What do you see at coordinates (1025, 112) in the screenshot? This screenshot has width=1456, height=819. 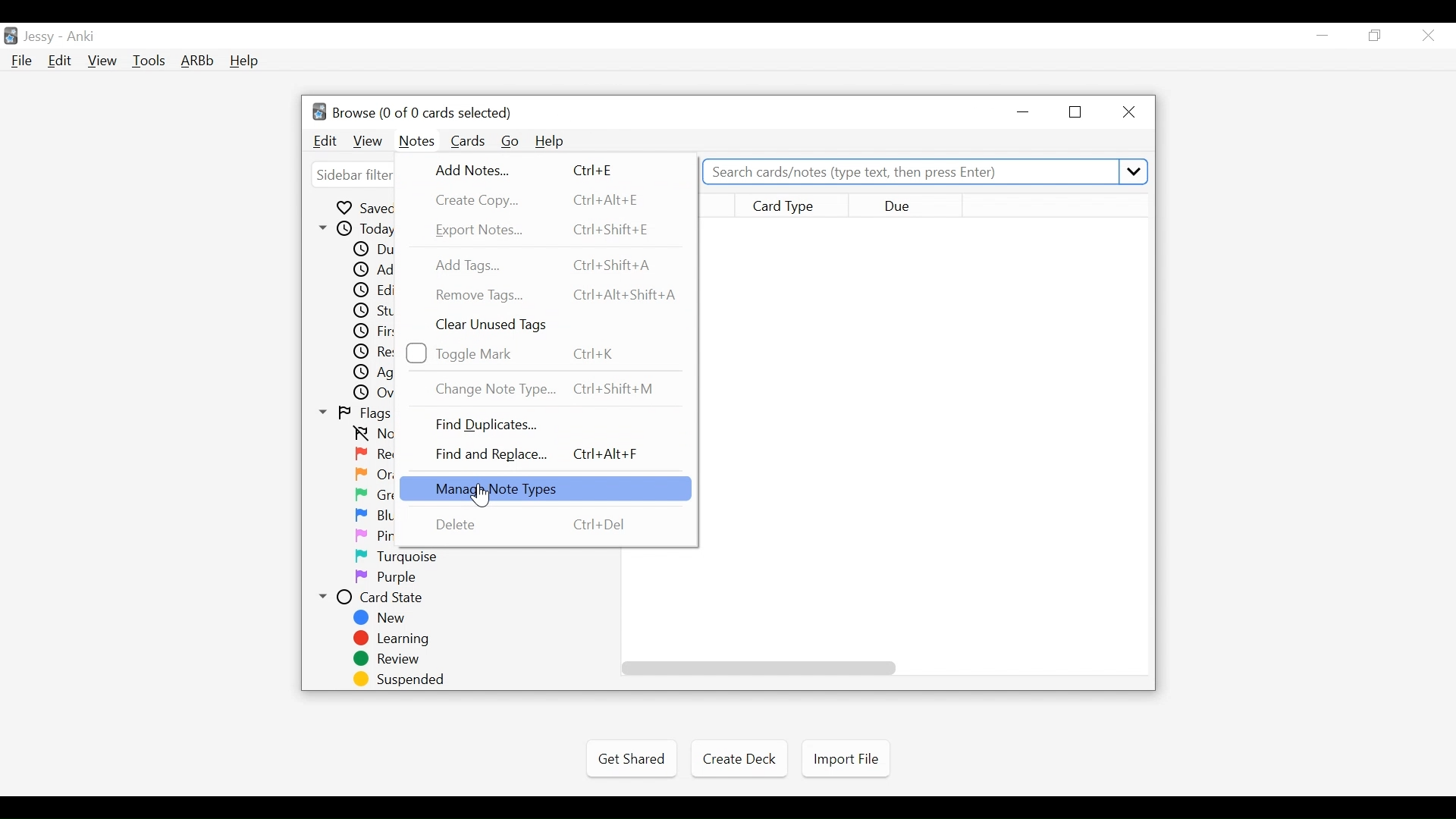 I see `minimize` at bounding box center [1025, 112].